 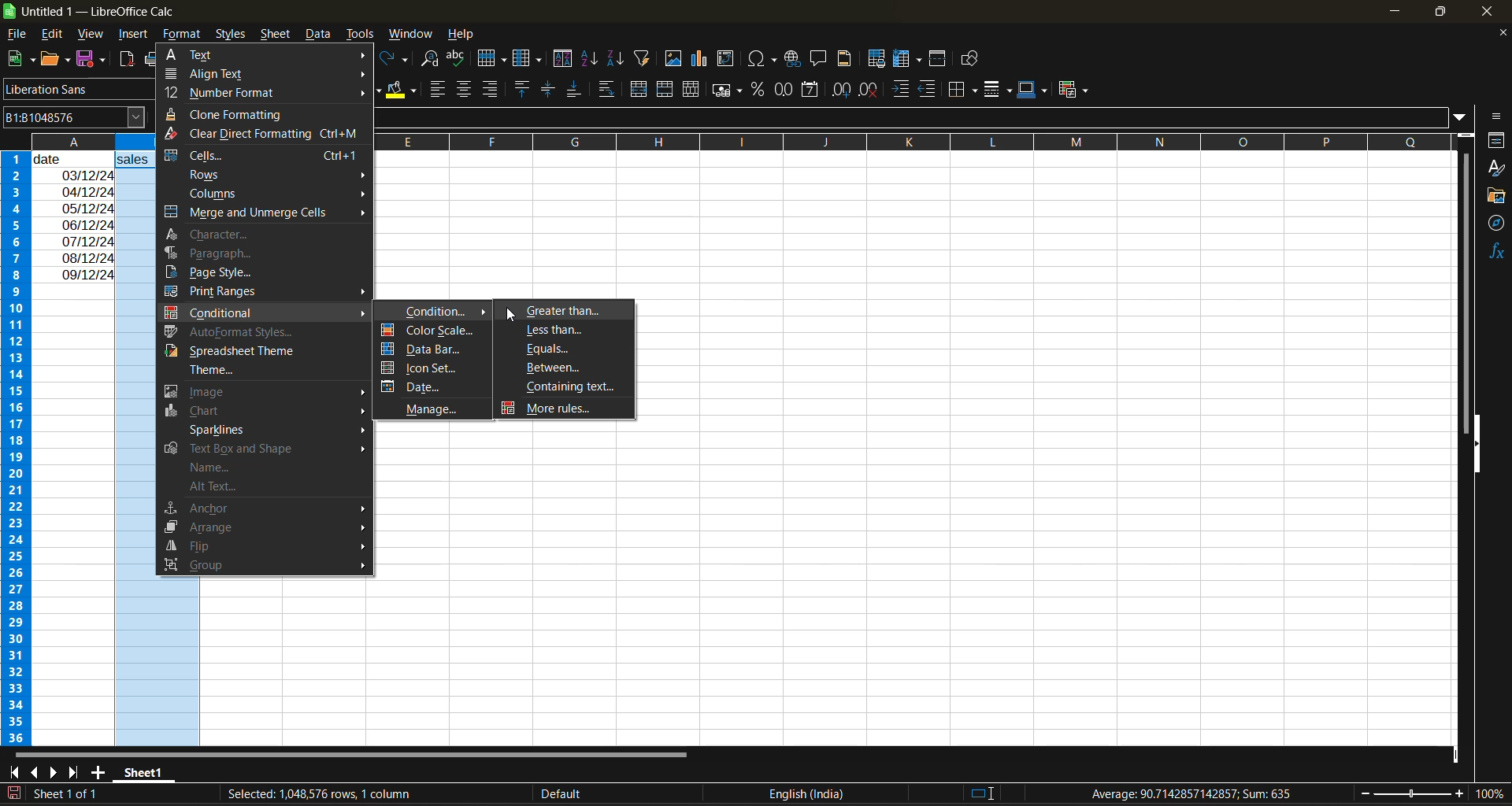 What do you see at coordinates (275, 35) in the screenshot?
I see `sheet` at bounding box center [275, 35].